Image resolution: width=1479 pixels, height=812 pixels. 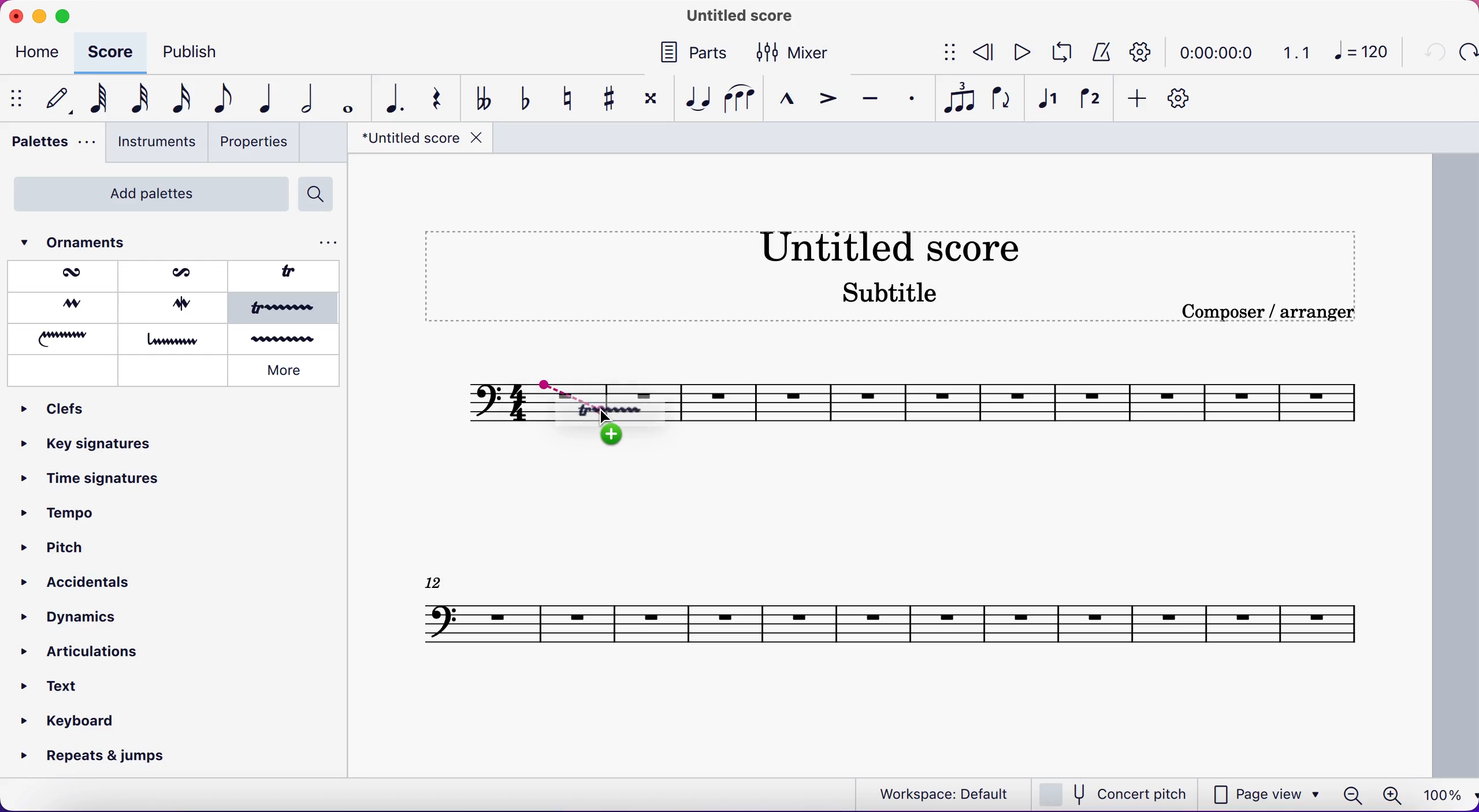 What do you see at coordinates (958, 100) in the screenshot?
I see `tuples` at bounding box center [958, 100].